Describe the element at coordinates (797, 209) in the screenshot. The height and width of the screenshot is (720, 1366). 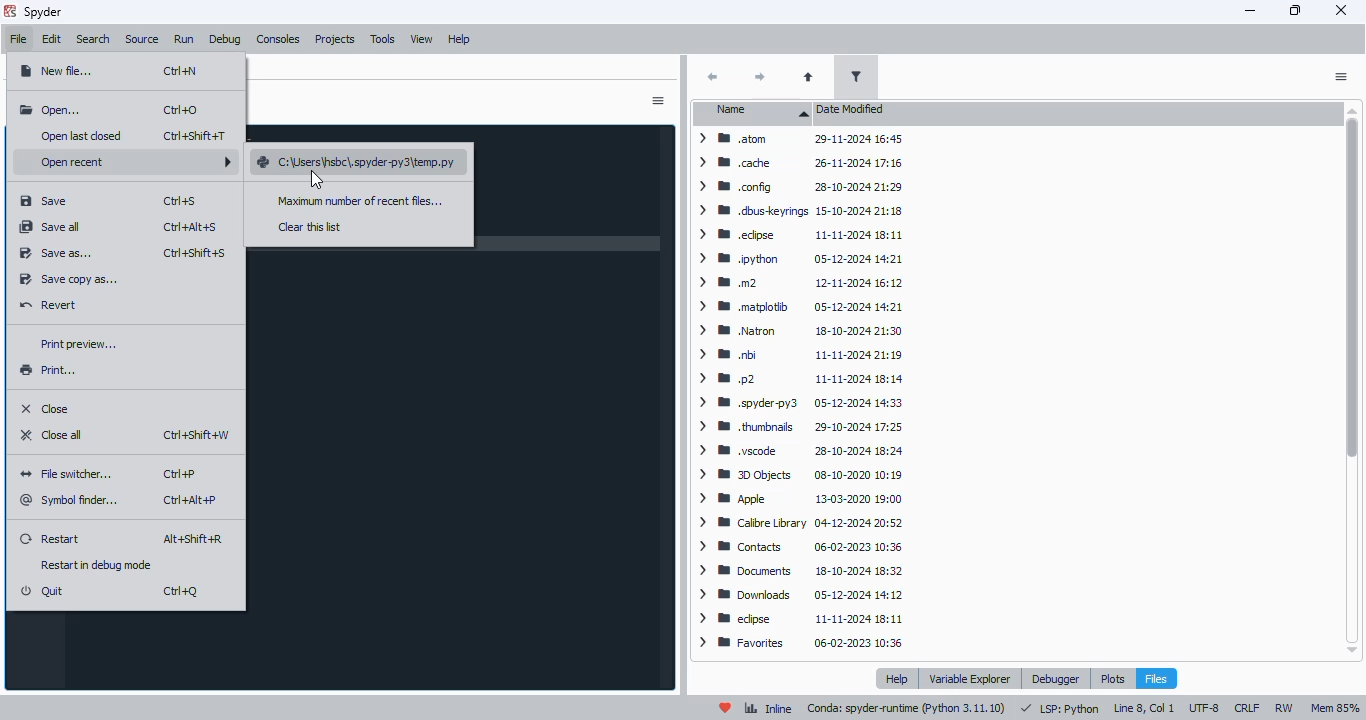
I see `> WM .dbuskeyrings 15-10-2024 21:18` at that location.